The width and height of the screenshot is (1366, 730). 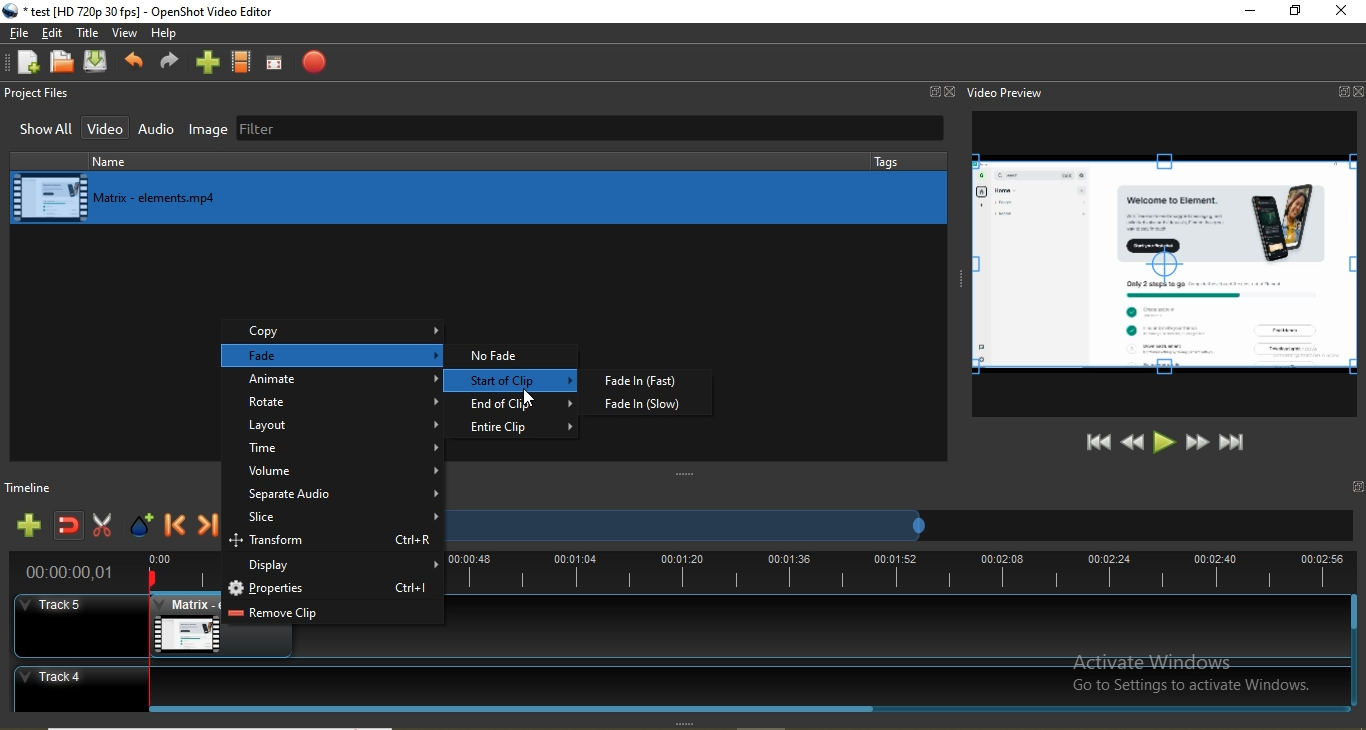 I want to click on adjust window, so click(x=682, y=474).